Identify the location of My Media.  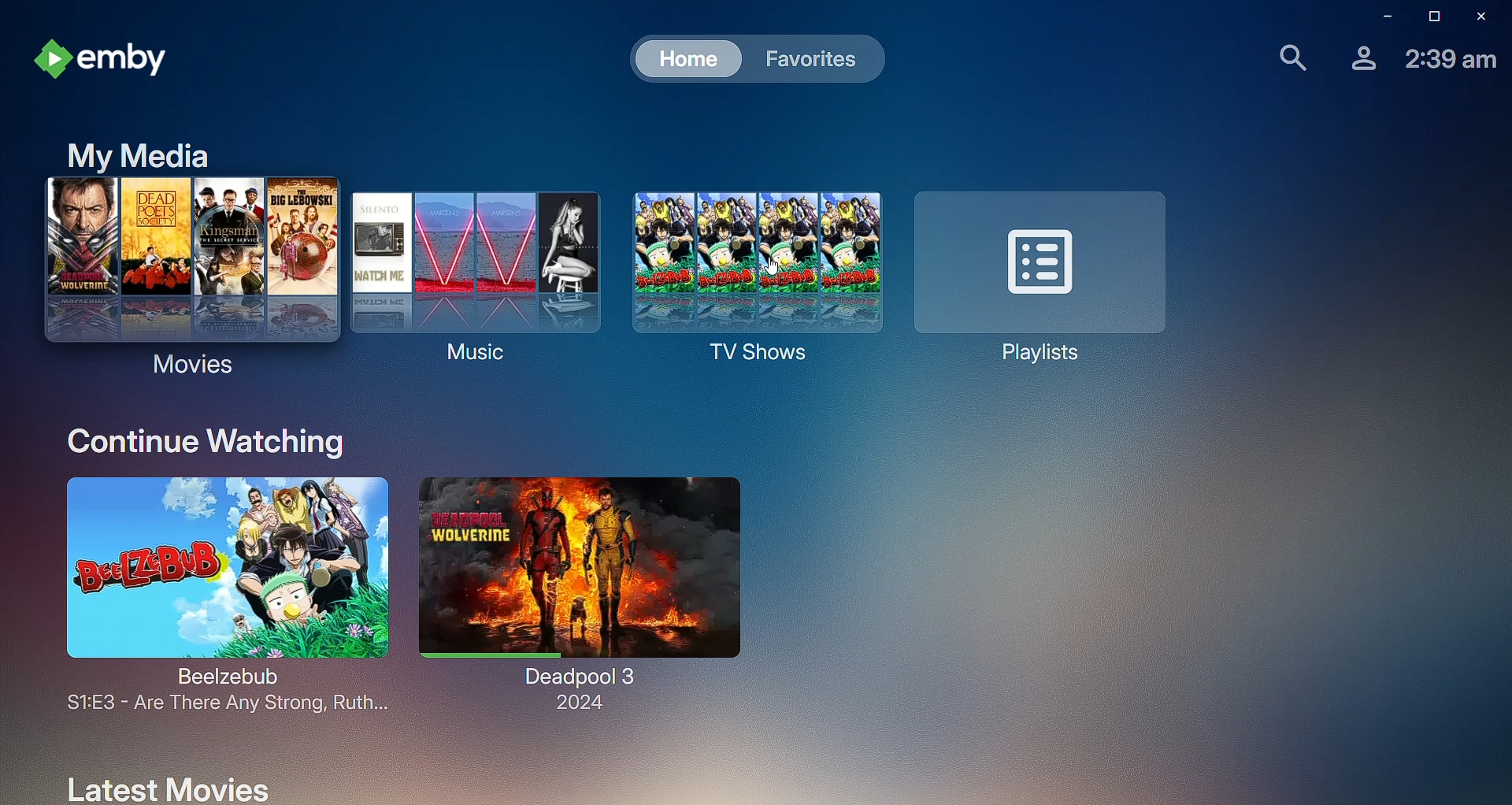
(126, 150).